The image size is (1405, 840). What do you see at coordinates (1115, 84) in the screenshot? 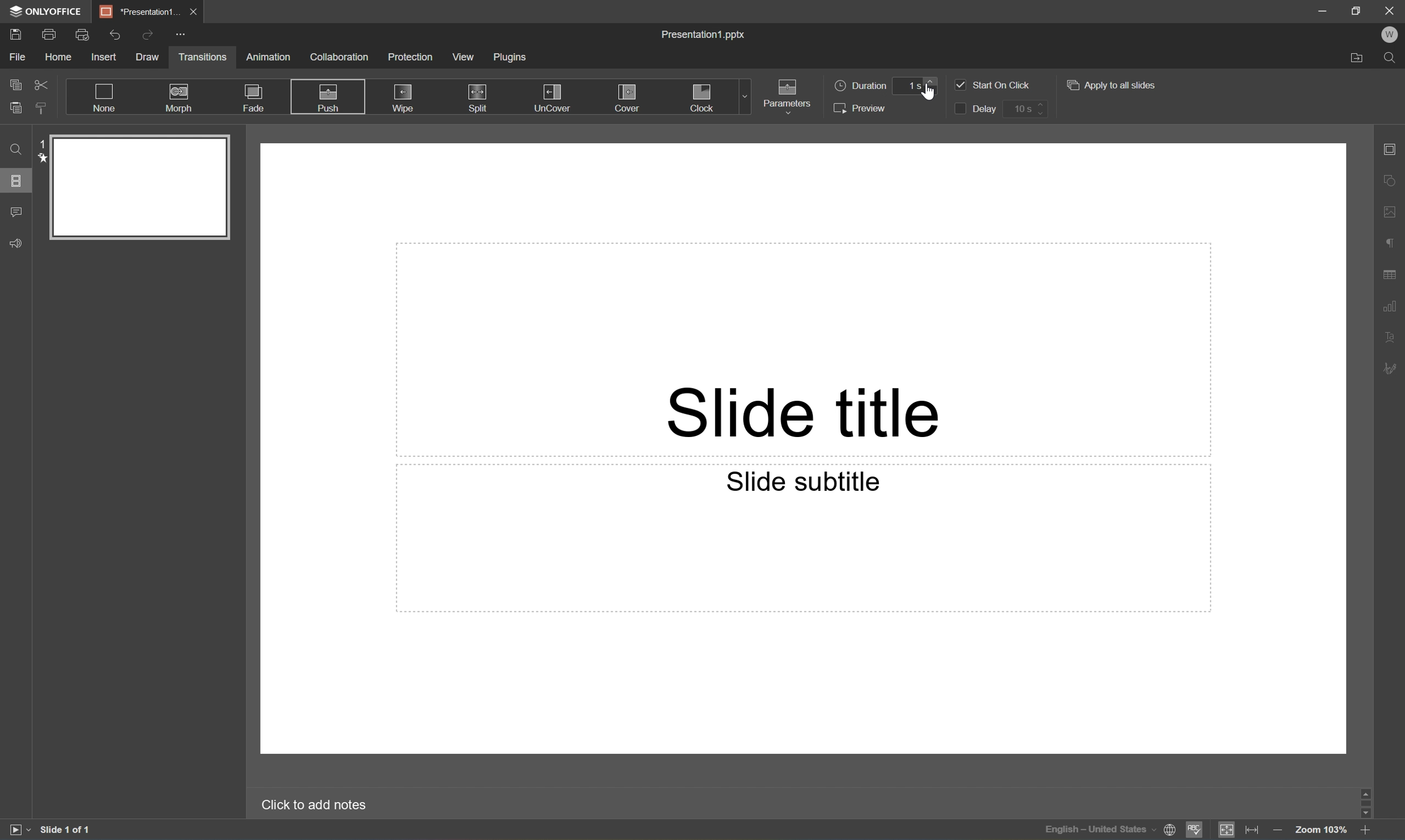
I see `Apply to all slides` at bounding box center [1115, 84].